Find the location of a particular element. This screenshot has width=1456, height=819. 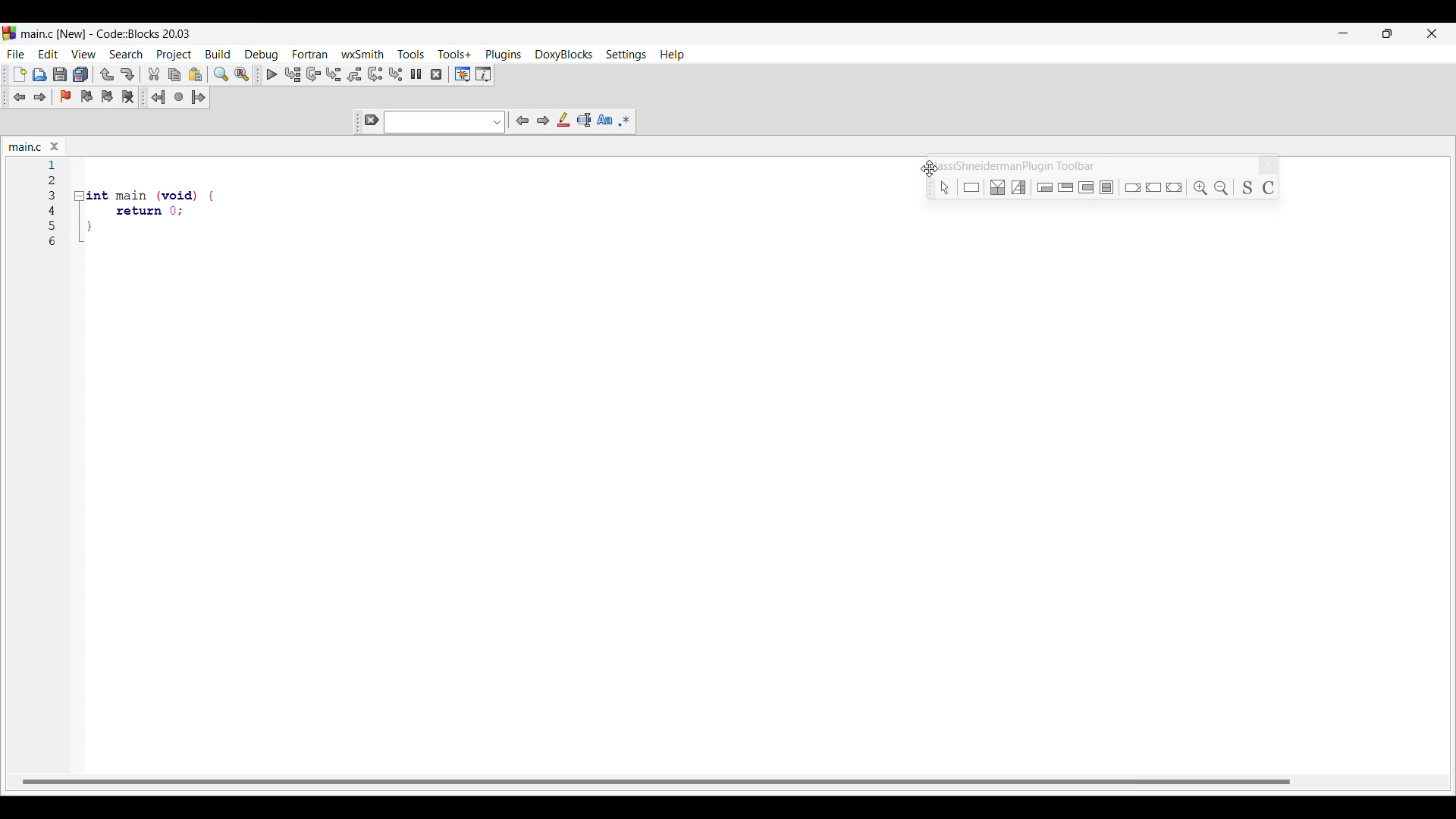

 is located at coordinates (1109, 187).